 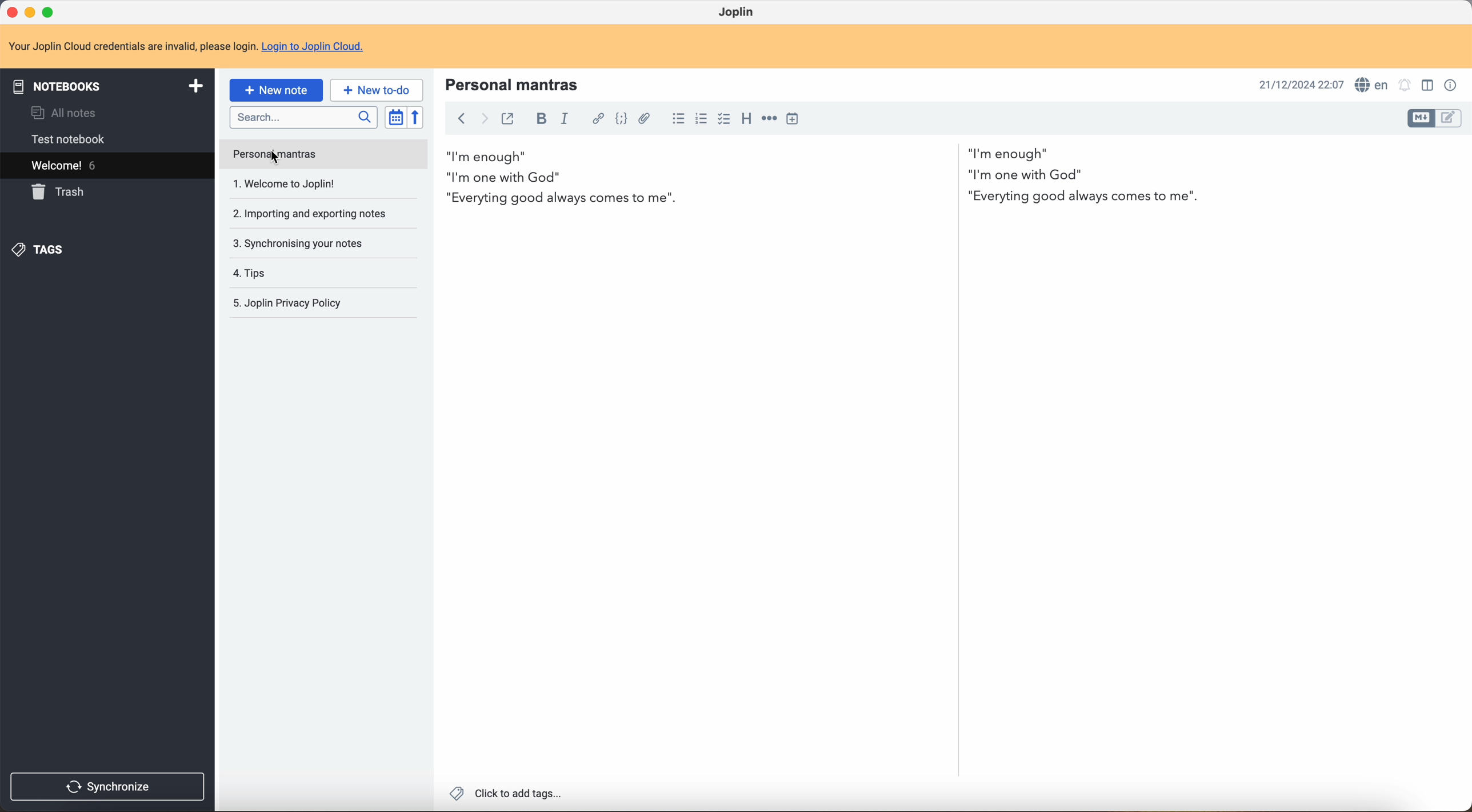 I want to click on set alarm, so click(x=1403, y=85).